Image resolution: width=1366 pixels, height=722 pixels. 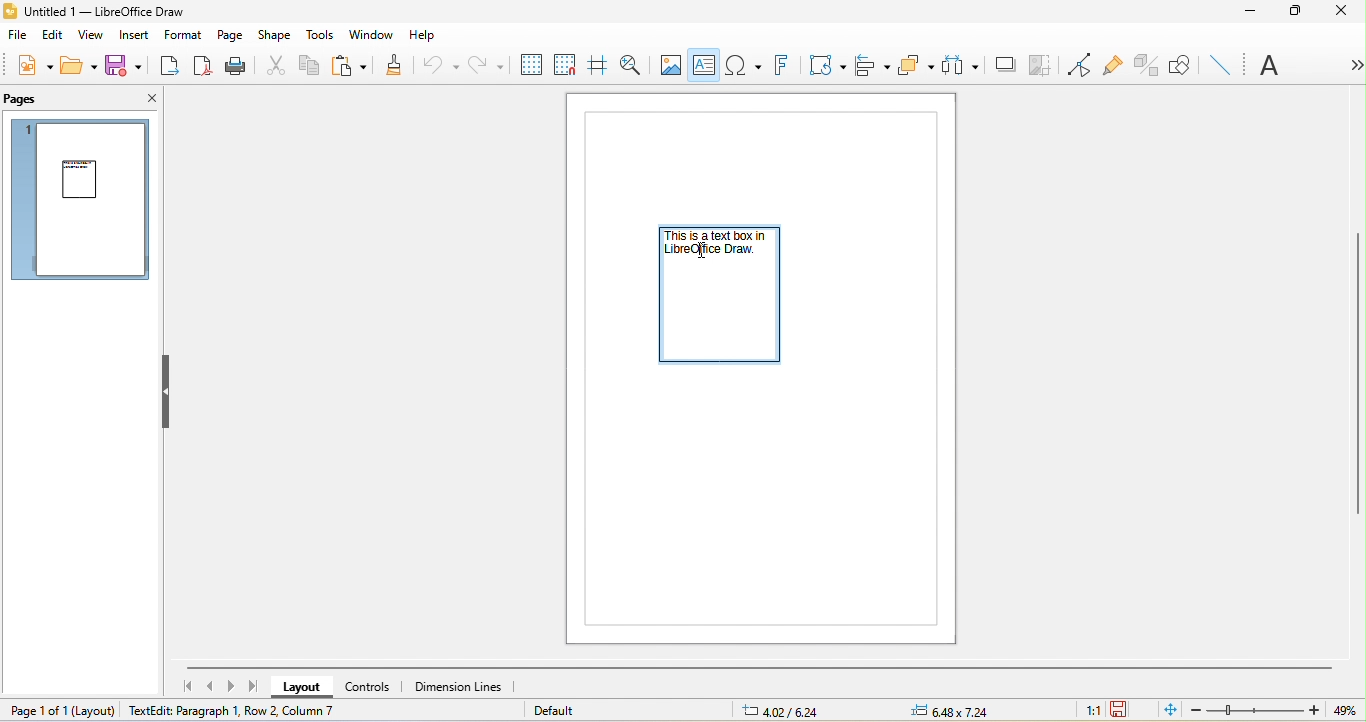 I want to click on align object, so click(x=871, y=67).